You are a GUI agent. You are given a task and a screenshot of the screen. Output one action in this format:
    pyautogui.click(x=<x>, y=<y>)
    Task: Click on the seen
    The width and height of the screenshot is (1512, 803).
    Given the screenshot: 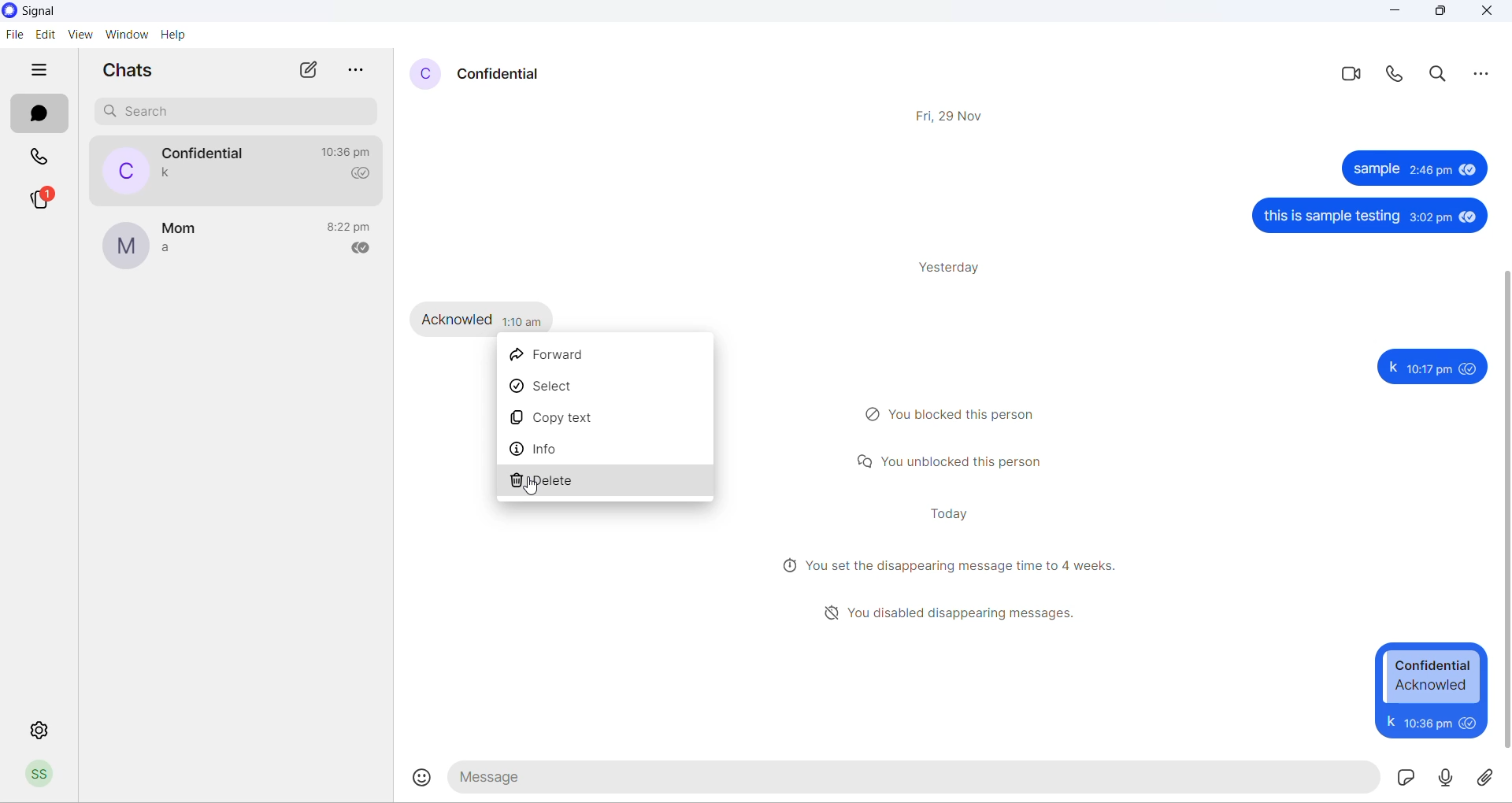 What is the action you would take?
    pyautogui.click(x=1472, y=723)
    